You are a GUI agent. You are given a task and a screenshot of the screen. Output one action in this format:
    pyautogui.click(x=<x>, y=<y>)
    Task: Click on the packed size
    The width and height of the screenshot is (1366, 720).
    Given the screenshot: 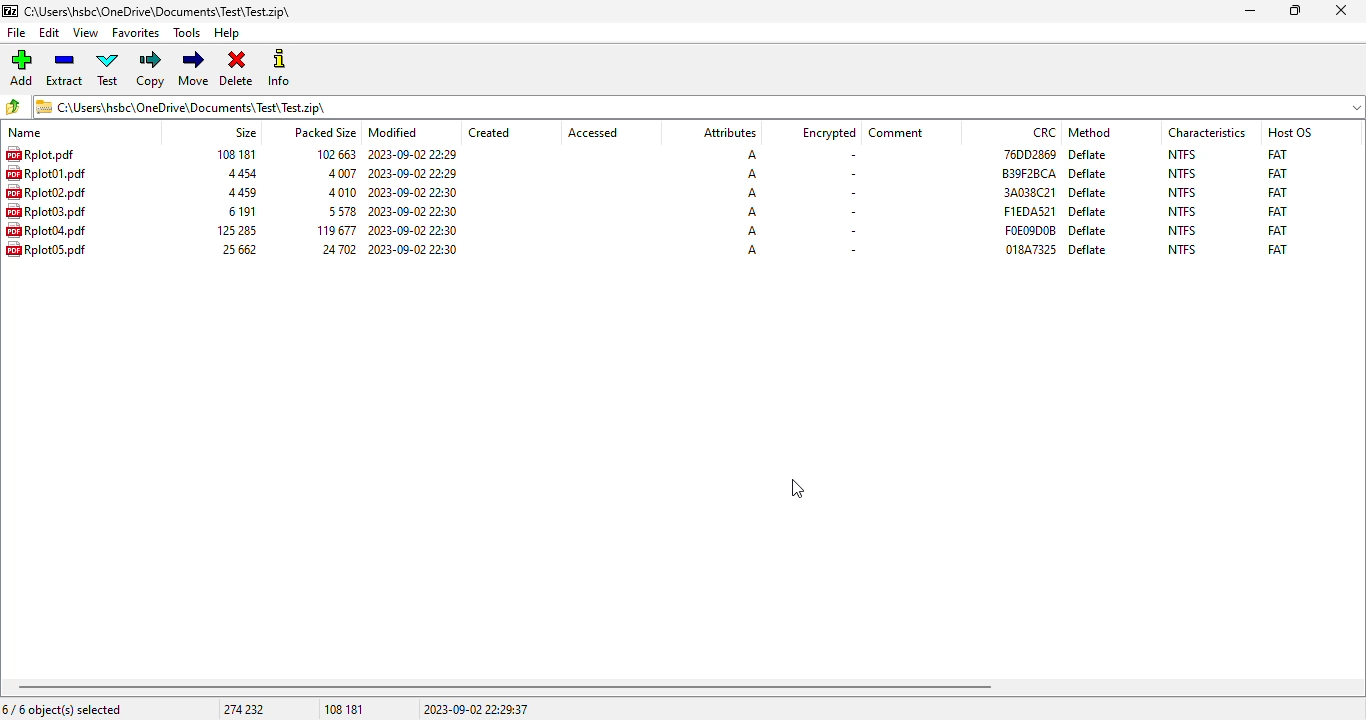 What is the action you would take?
    pyautogui.click(x=340, y=173)
    